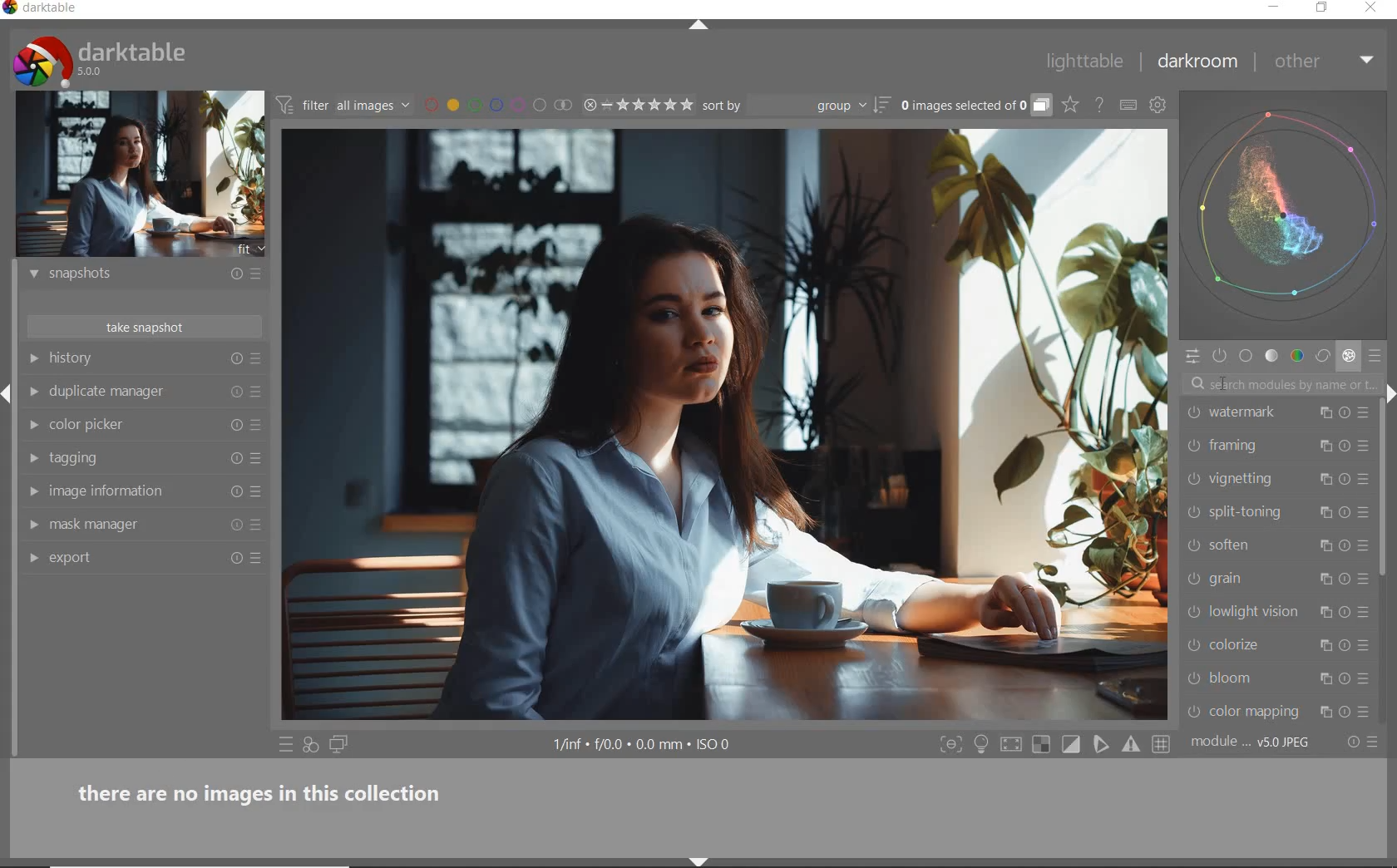  I want to click on preset and preferences, so click(1365, 482).